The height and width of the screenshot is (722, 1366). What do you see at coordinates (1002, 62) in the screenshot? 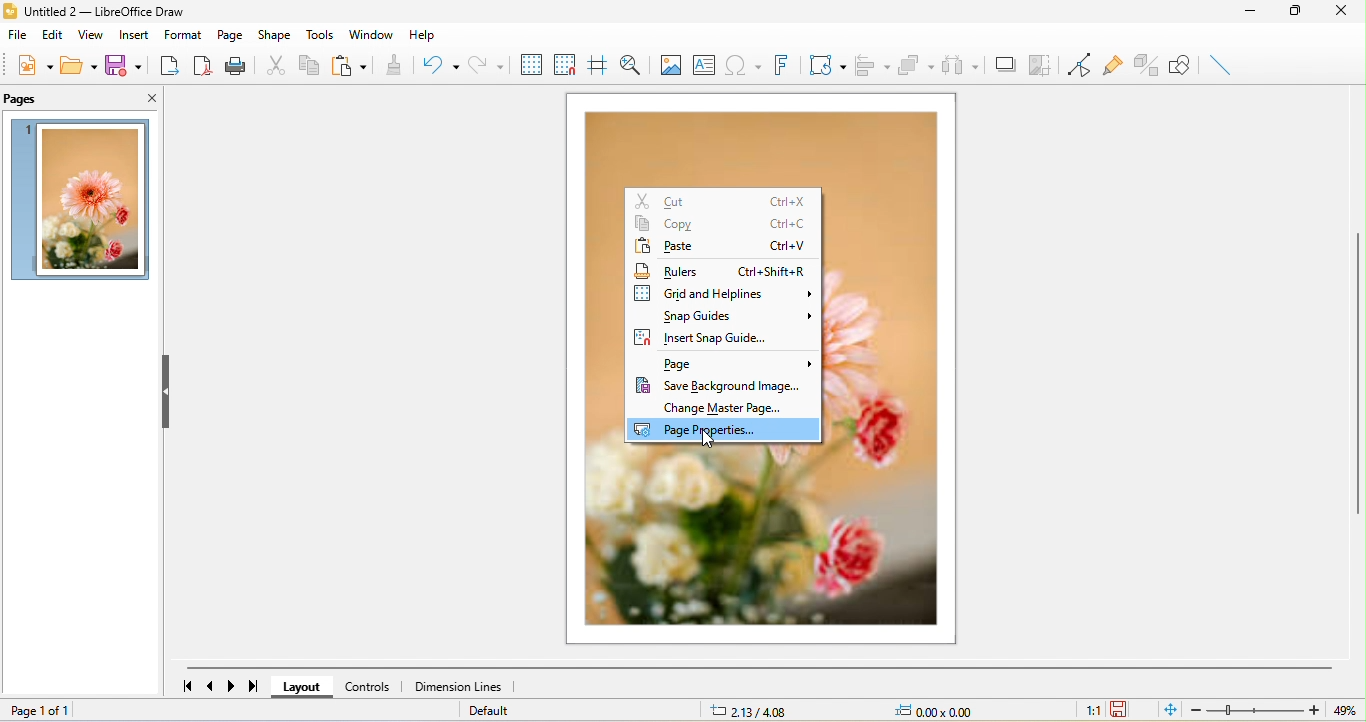
I see `shadow` at bounding box center [1002, 62].